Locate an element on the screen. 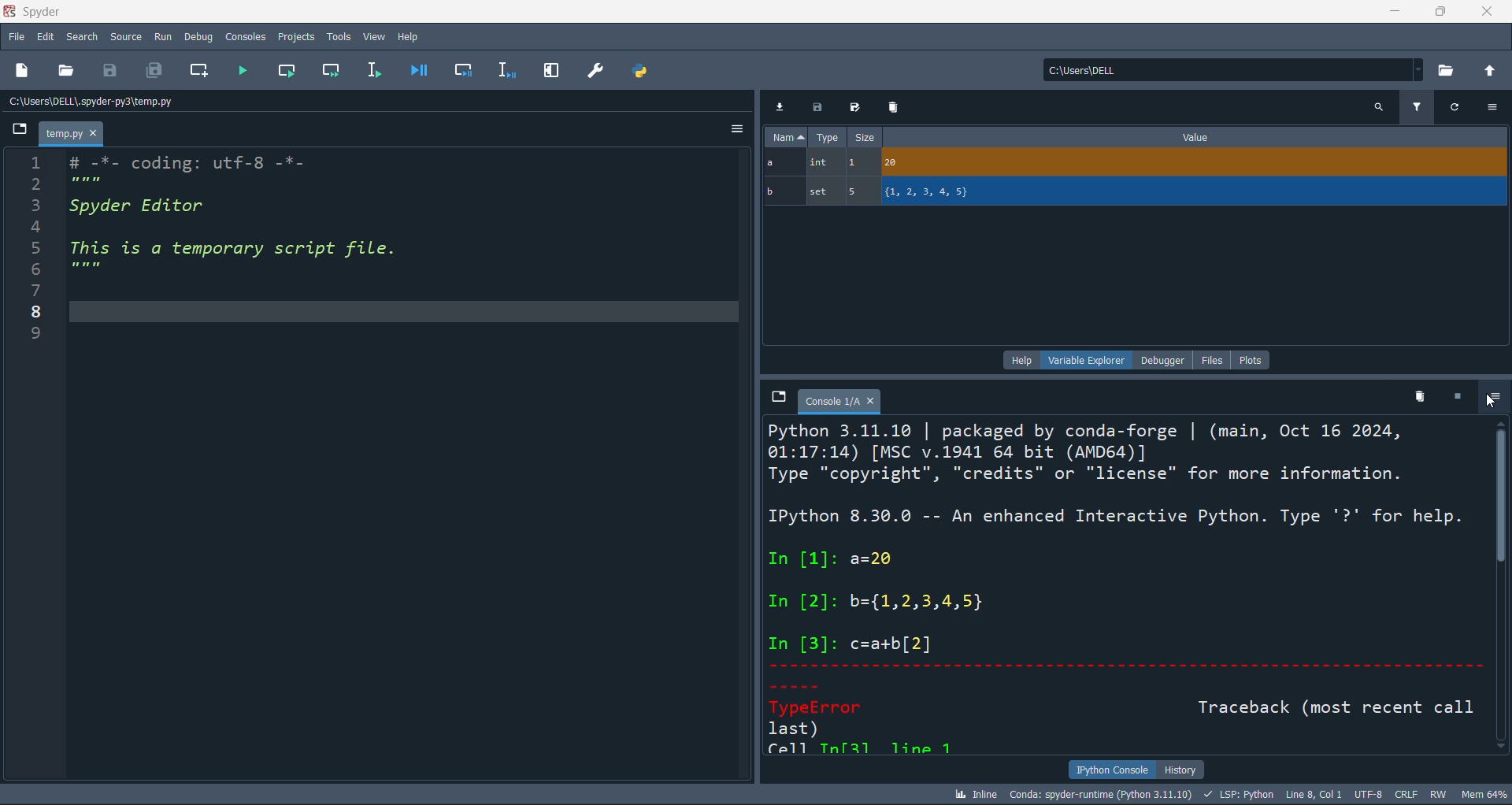  mem 64% is located at coordinates (1482, 793).